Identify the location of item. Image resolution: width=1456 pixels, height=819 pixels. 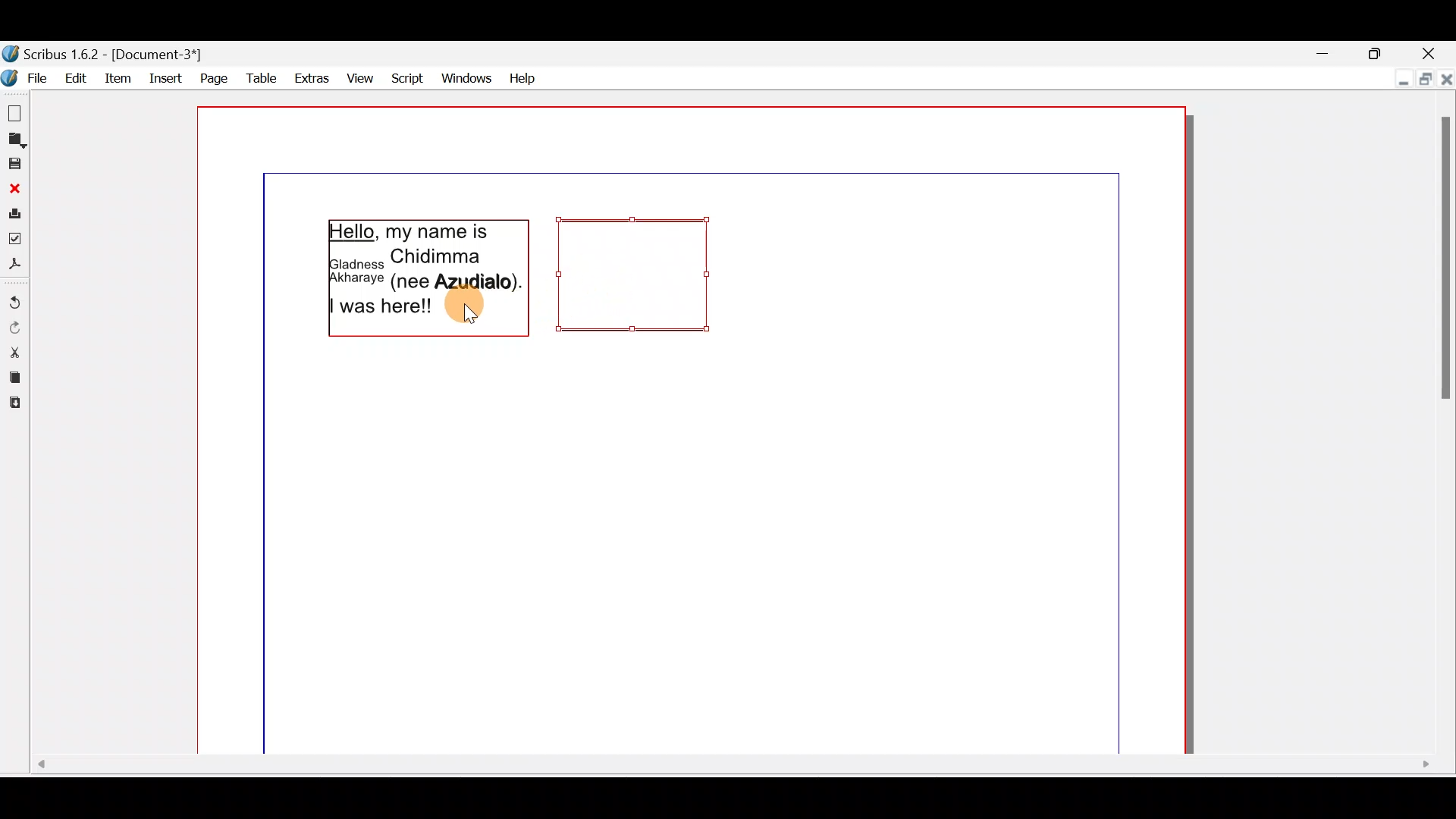
(119, 78).